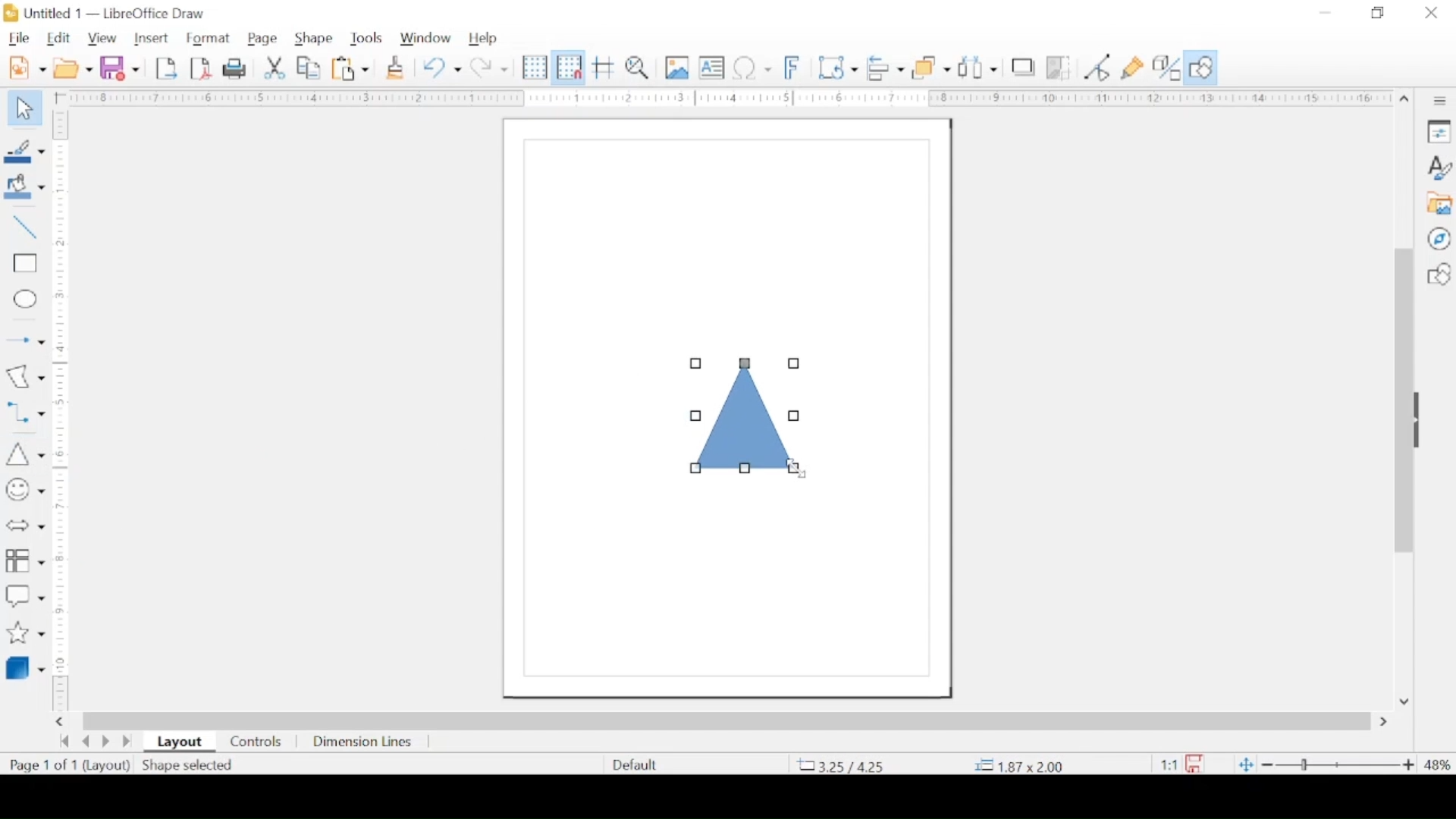 Image resolution: width=1456 pixels, height=819 pixels. I want to click on insert arrow, so click(24, 338).